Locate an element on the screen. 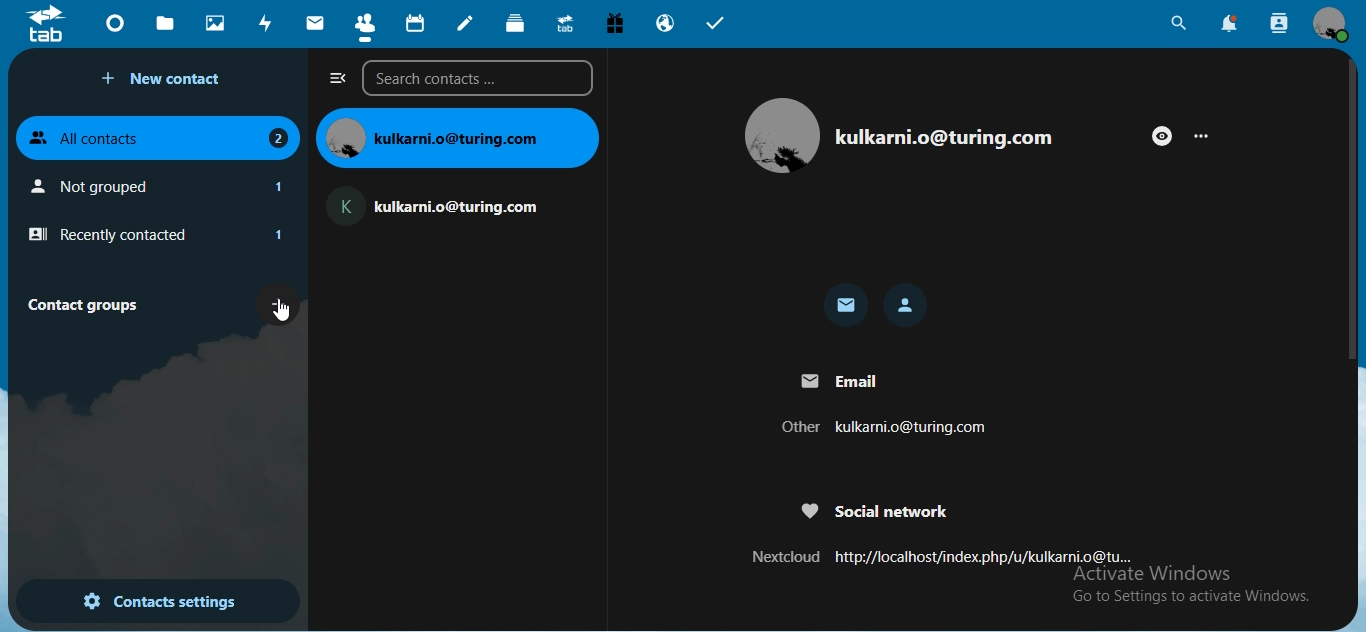  search contacts.. is located at coordinates (482, 78).